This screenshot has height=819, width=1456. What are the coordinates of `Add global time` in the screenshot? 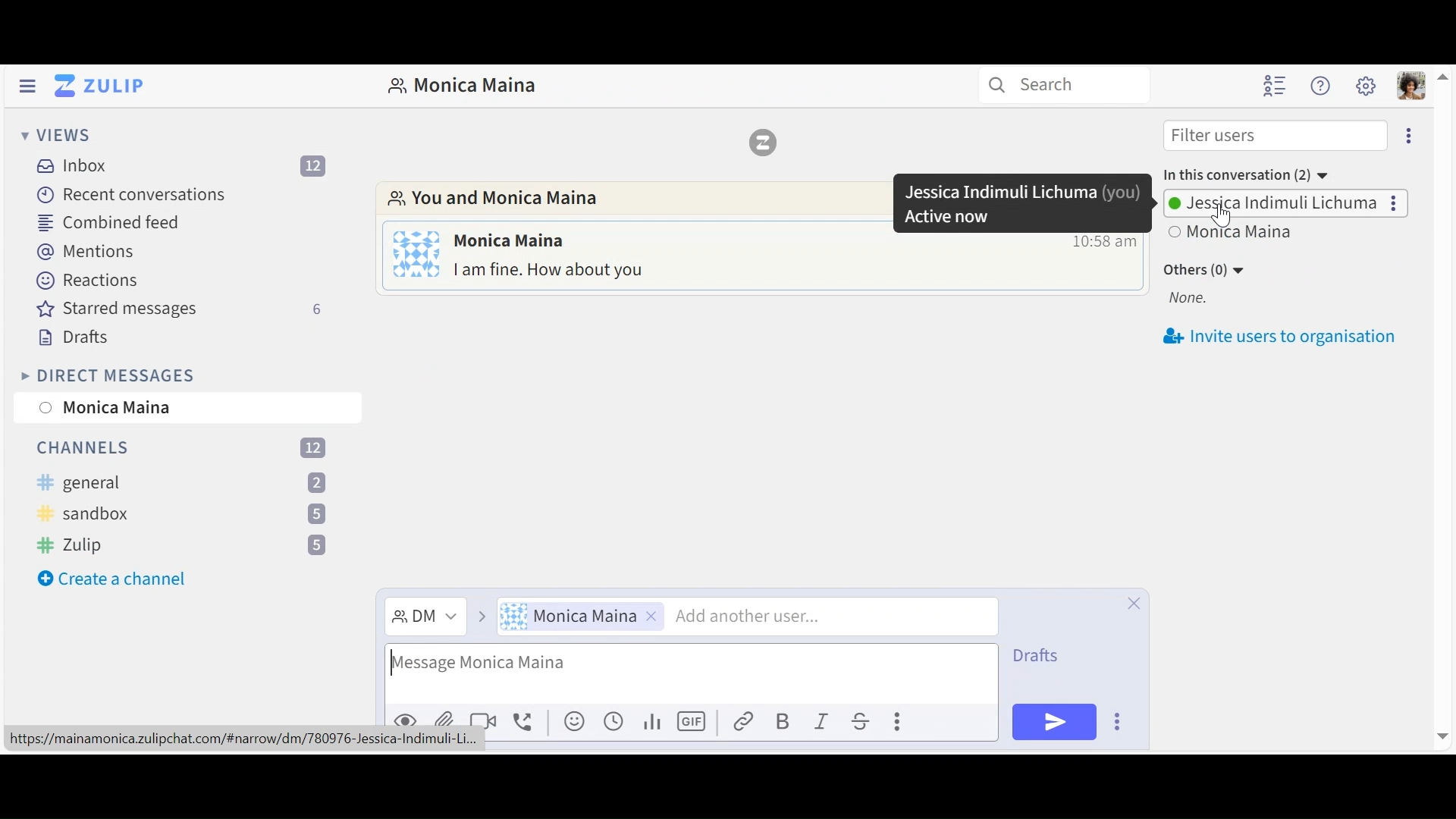 It's located at (616, 722).